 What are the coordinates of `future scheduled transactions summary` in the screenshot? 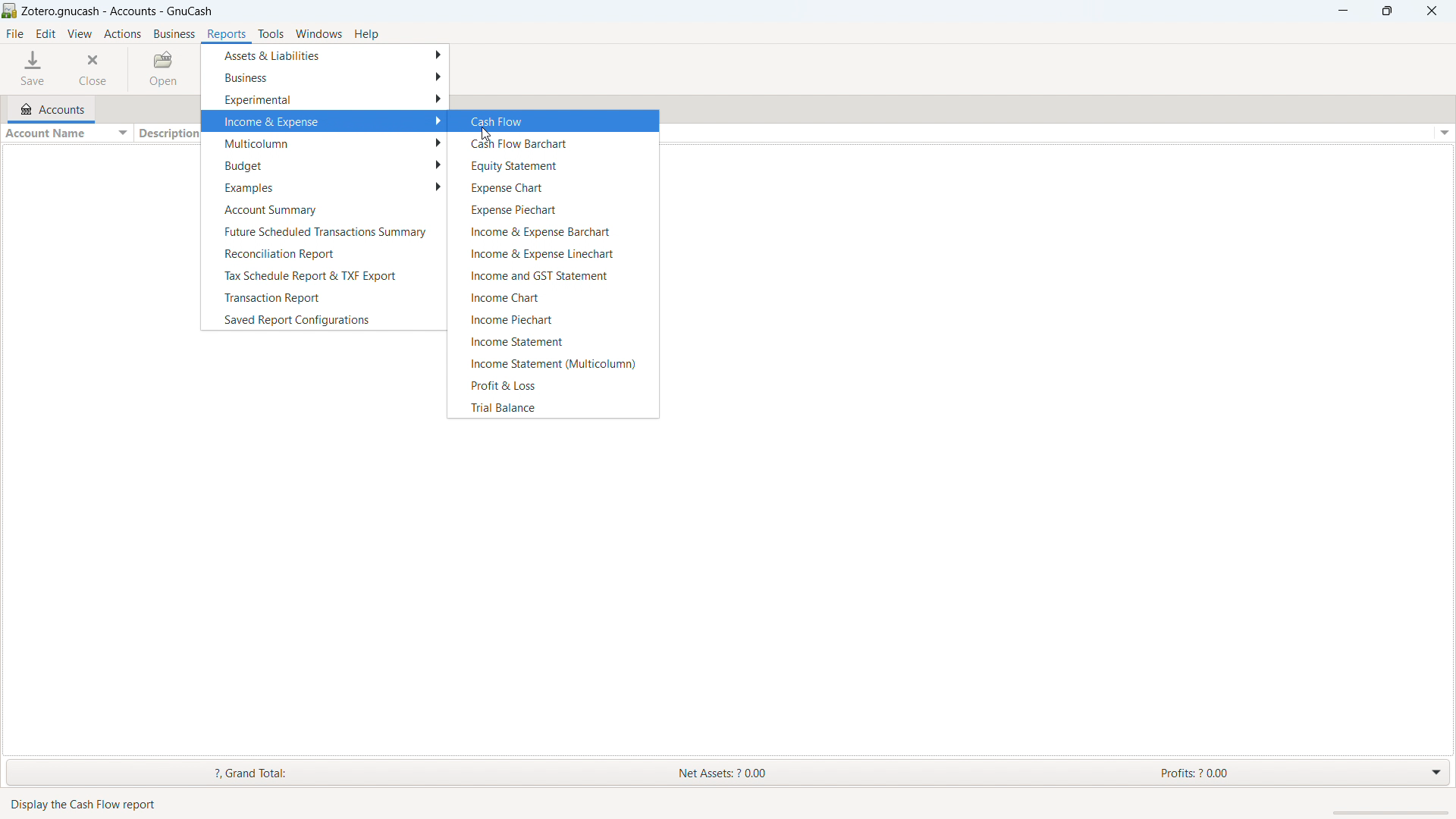 It's located at (324, 231).